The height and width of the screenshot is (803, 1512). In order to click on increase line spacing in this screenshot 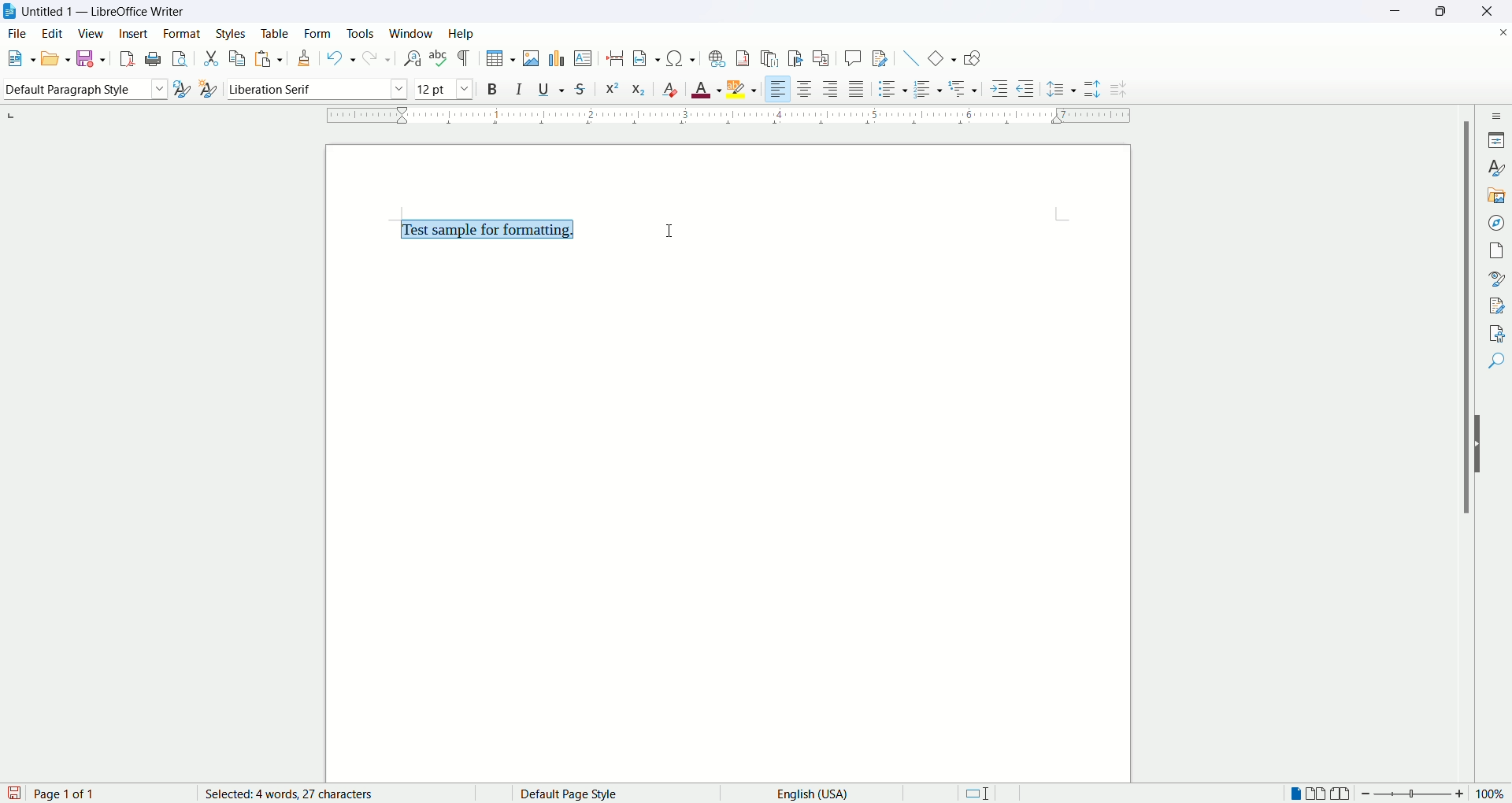, I will do `click(1090, 87)`.